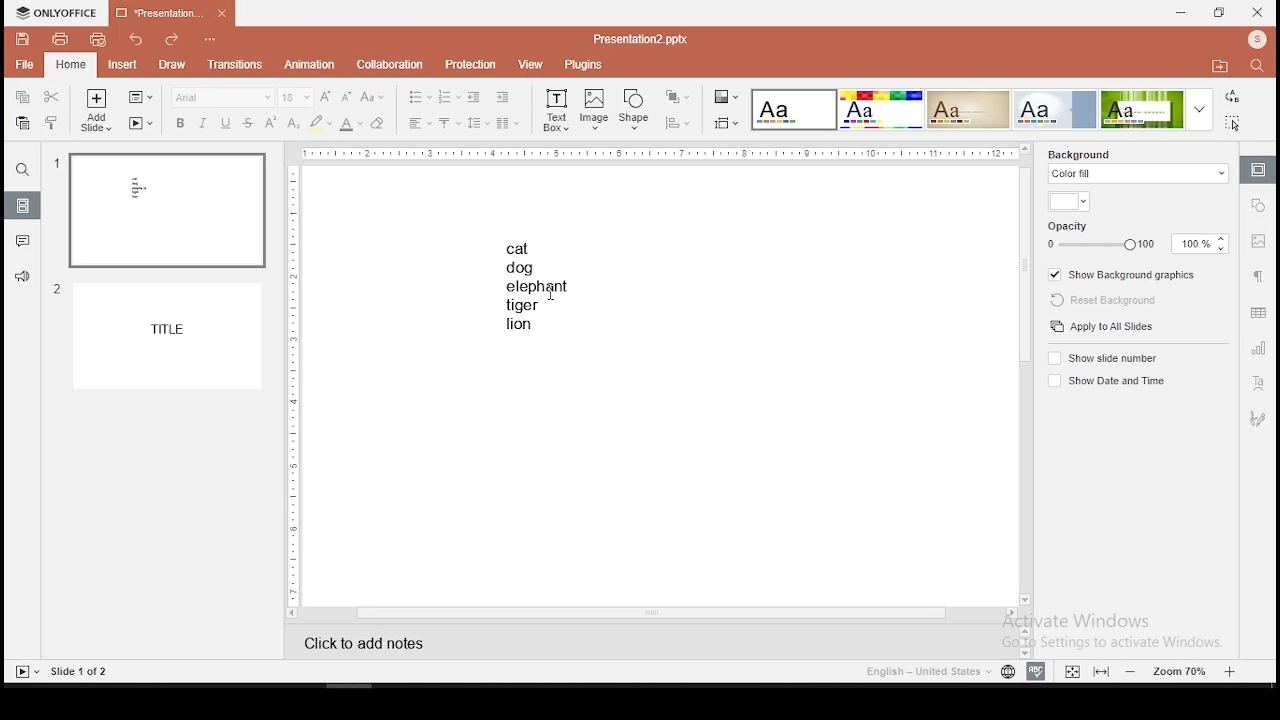  Describe the element at coordinates (1180, 671) in the screenshot. I see `zoom level` at that location.